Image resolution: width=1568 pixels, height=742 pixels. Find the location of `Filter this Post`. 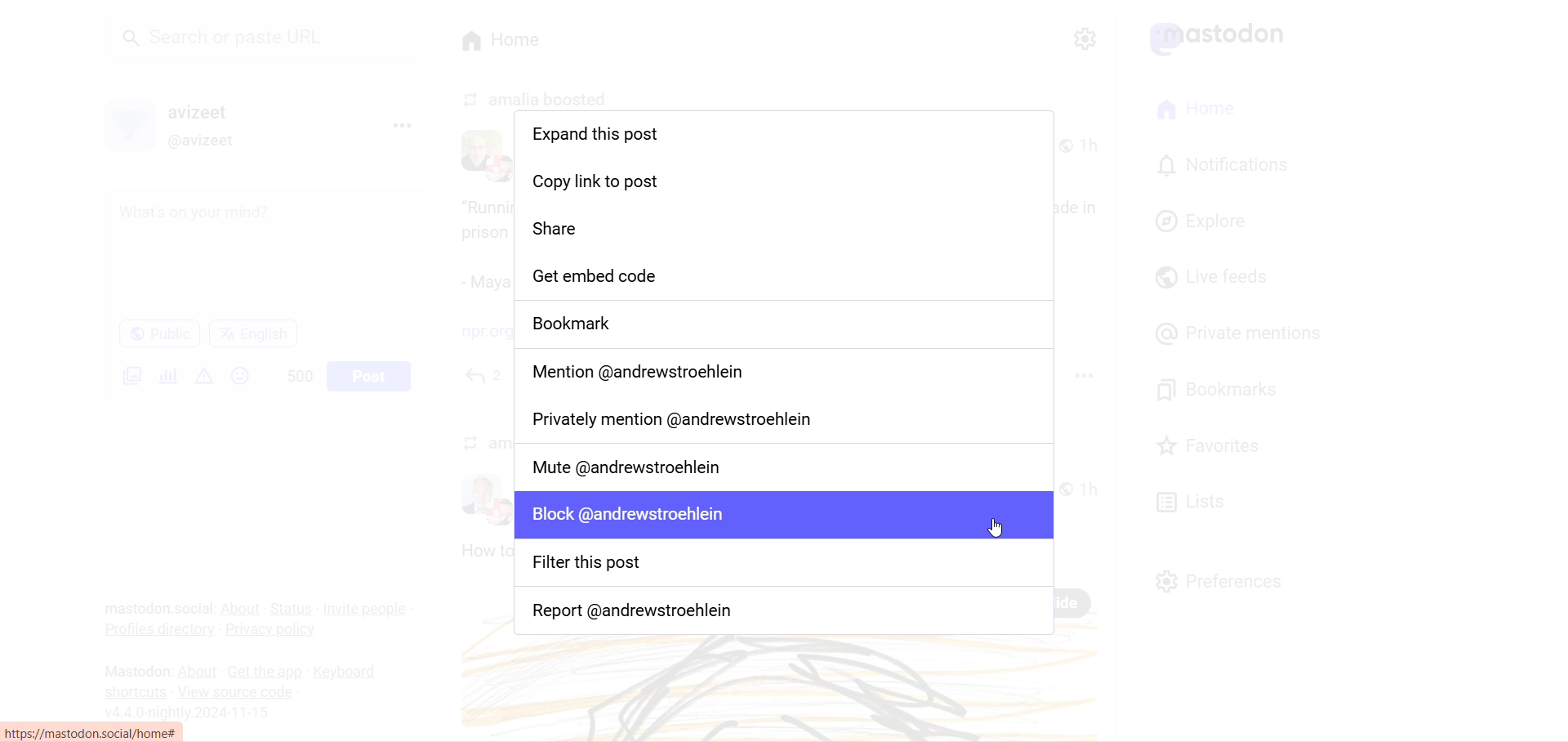

Filter this Post is located at coordinates (784, 563).